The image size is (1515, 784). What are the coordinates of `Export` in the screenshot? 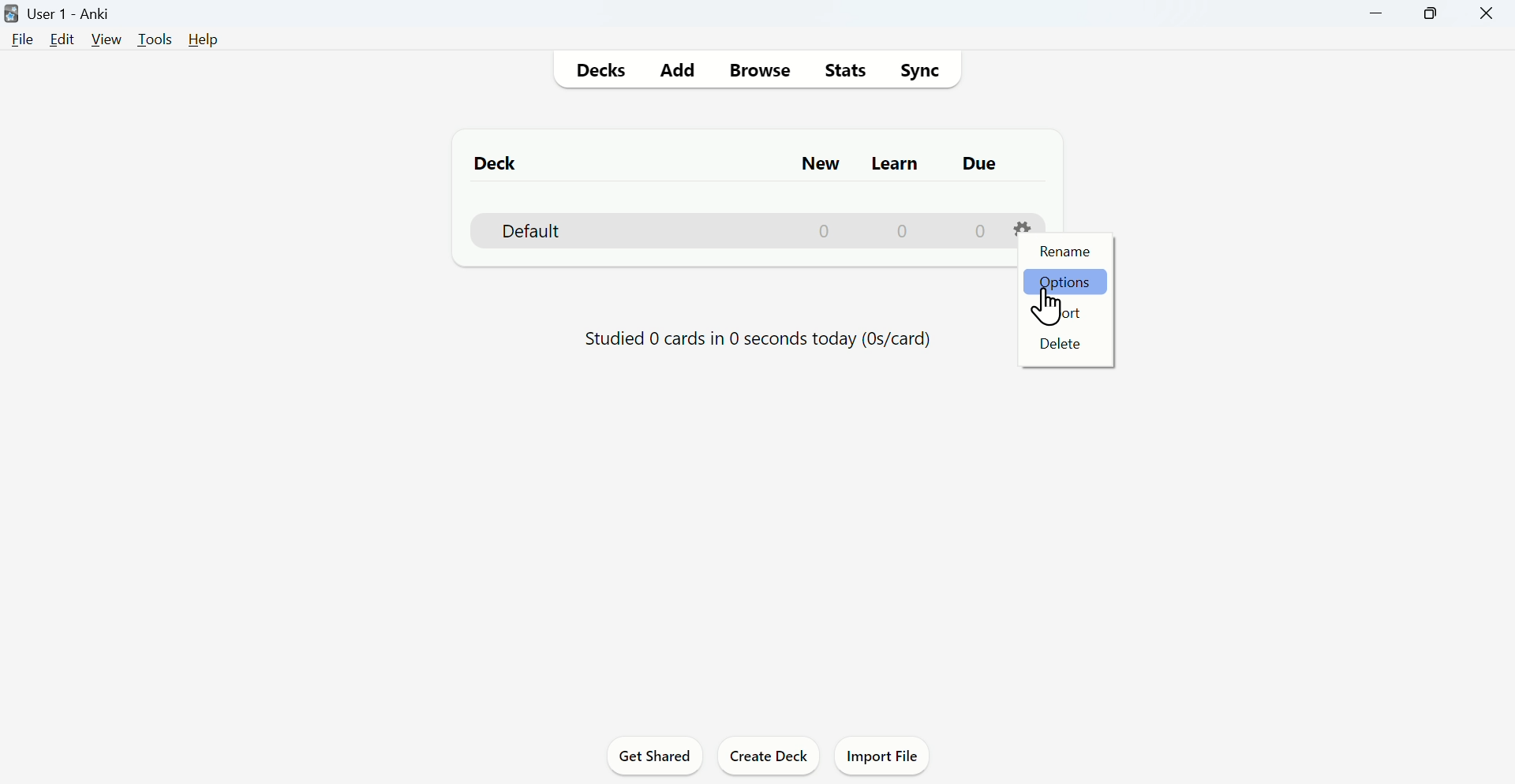 It's located at (1060, 311).